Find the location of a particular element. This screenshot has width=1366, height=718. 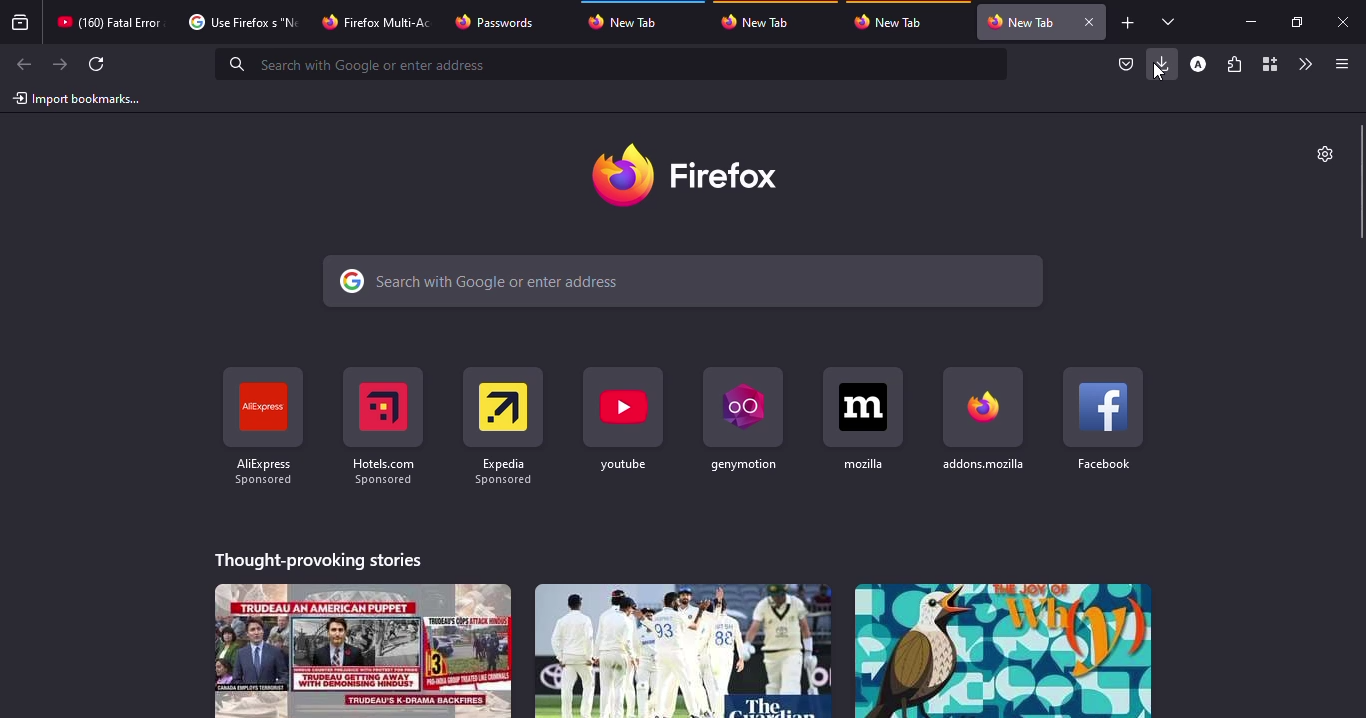

cursor is located at coordinates (1160, 72).